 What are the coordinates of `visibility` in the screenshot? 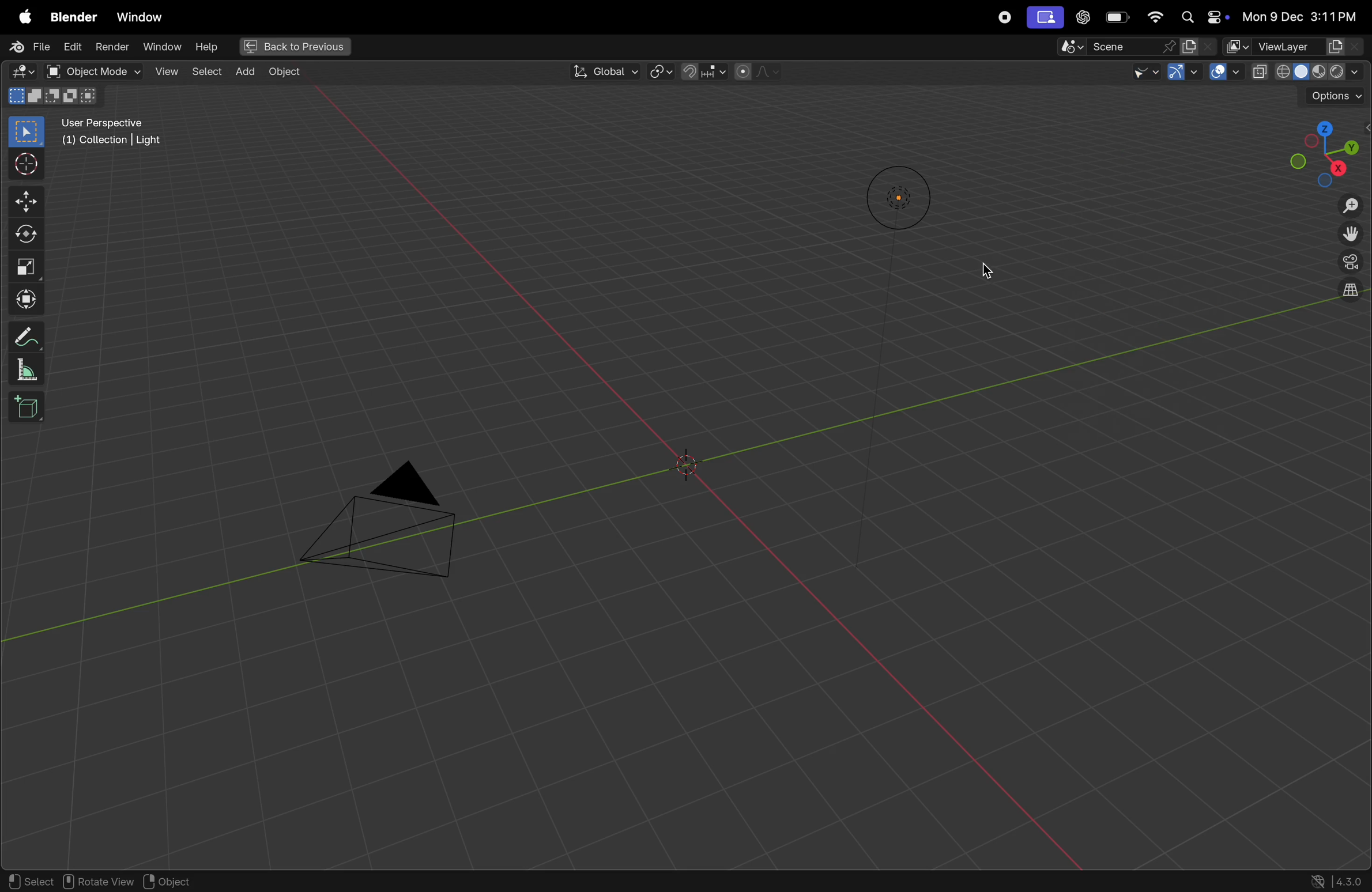 It's located at (1132, 71).